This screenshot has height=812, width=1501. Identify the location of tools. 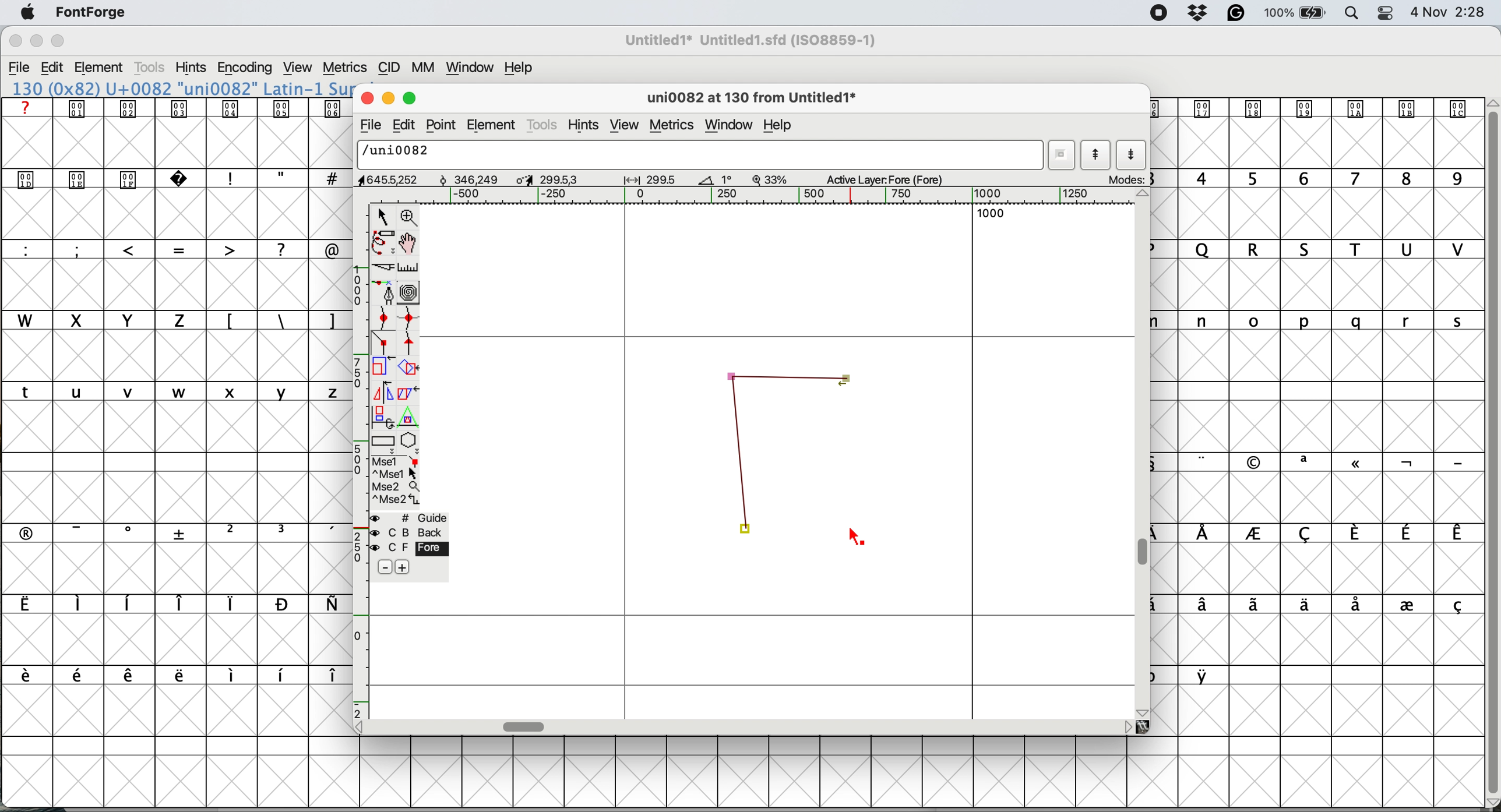
(152, 68).